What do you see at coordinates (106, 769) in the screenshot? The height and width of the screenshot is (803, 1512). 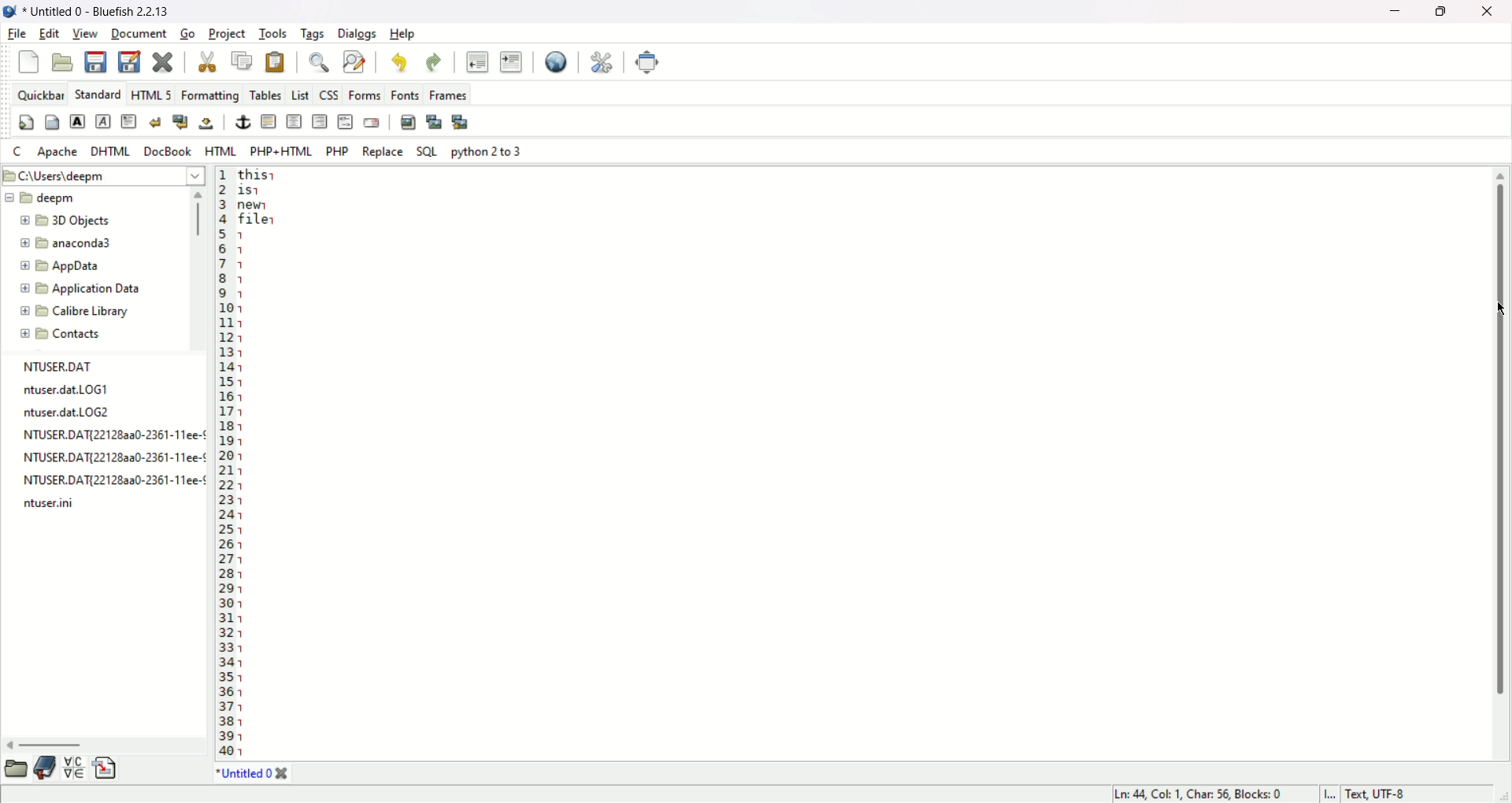 I see `snippets` at bounding box center [106, 769].